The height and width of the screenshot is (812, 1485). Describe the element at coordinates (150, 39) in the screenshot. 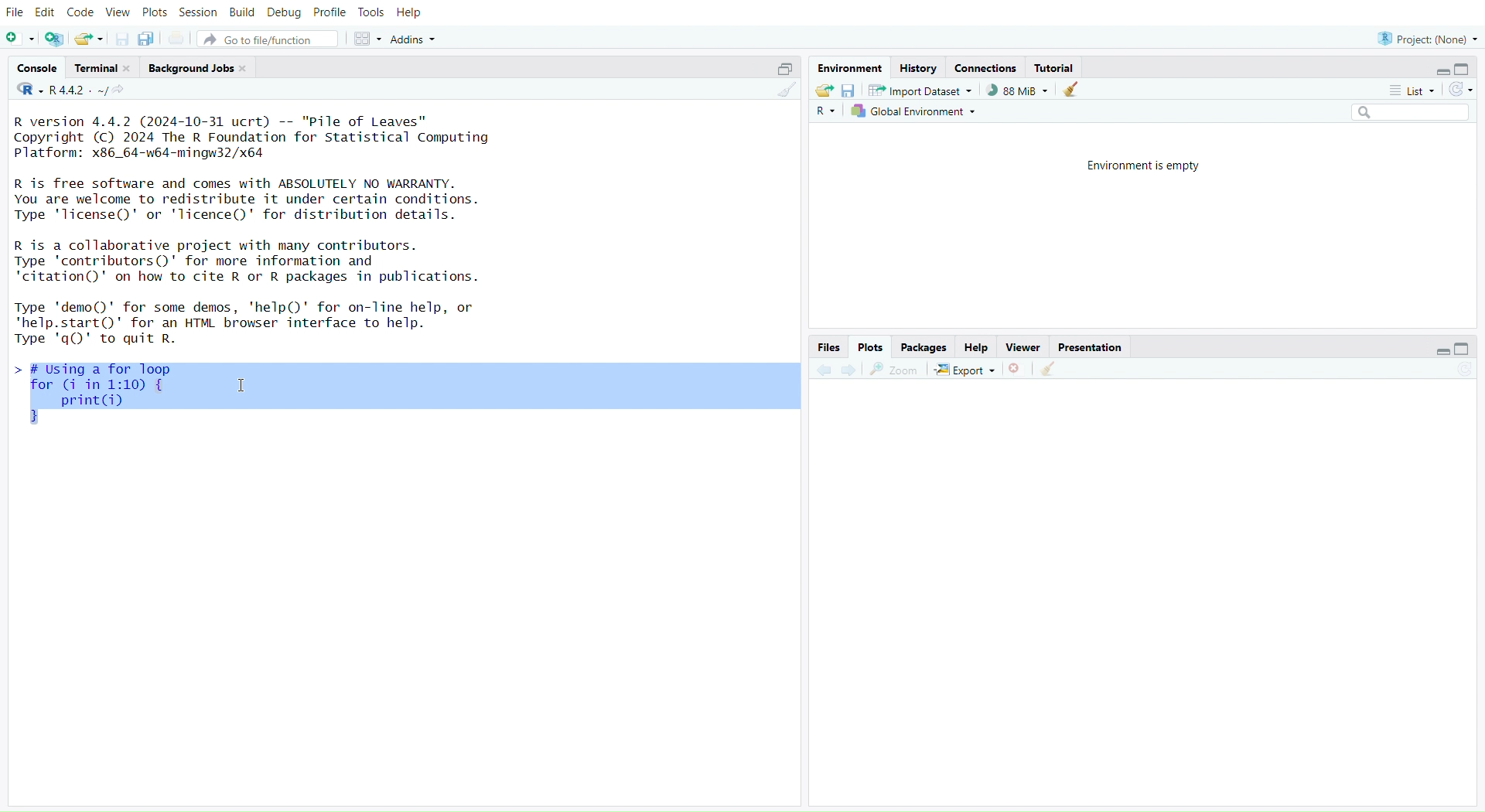

I see `save all open document` at that location.